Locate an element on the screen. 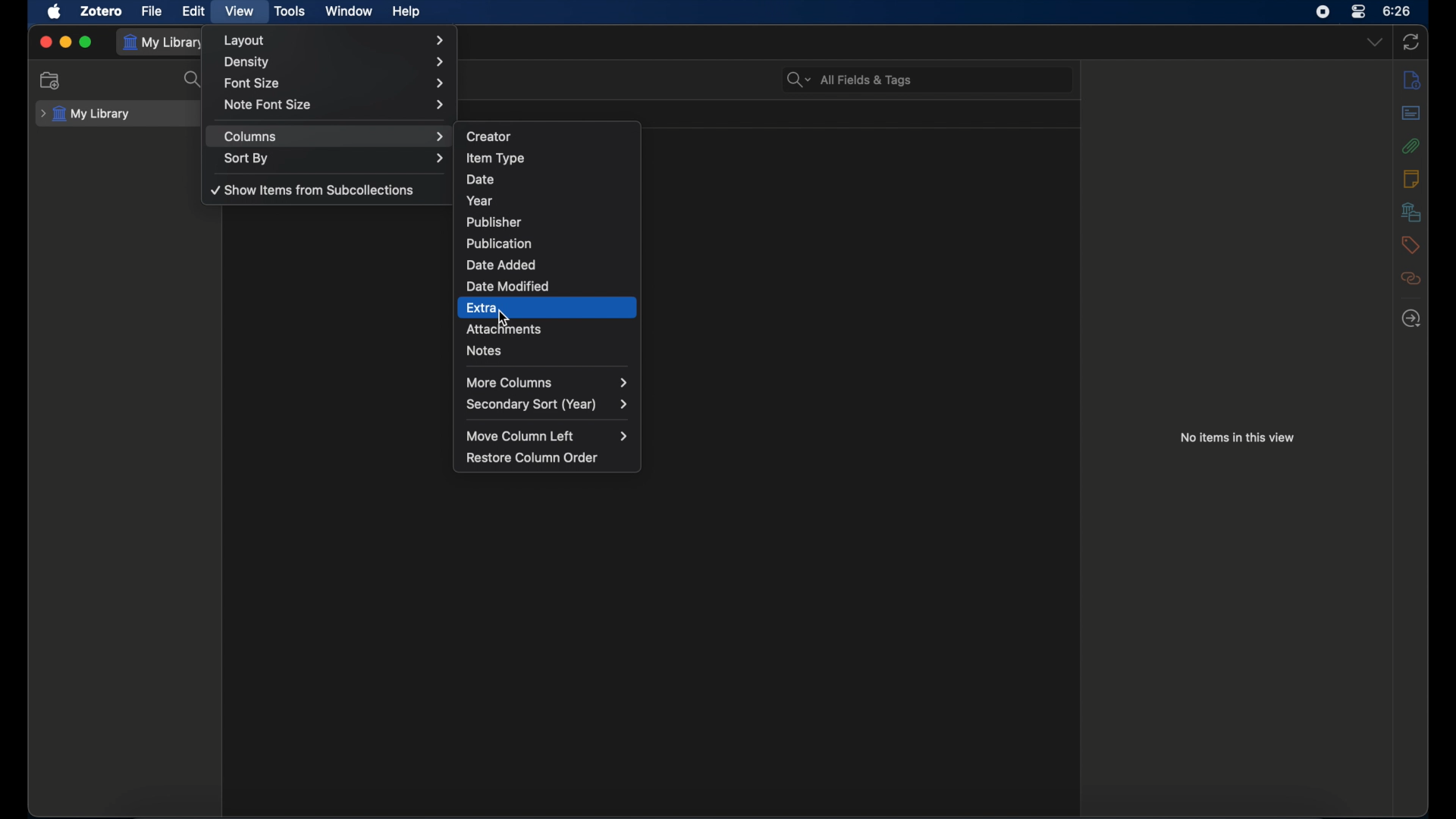  new collection is located at coordinates (49, 81).